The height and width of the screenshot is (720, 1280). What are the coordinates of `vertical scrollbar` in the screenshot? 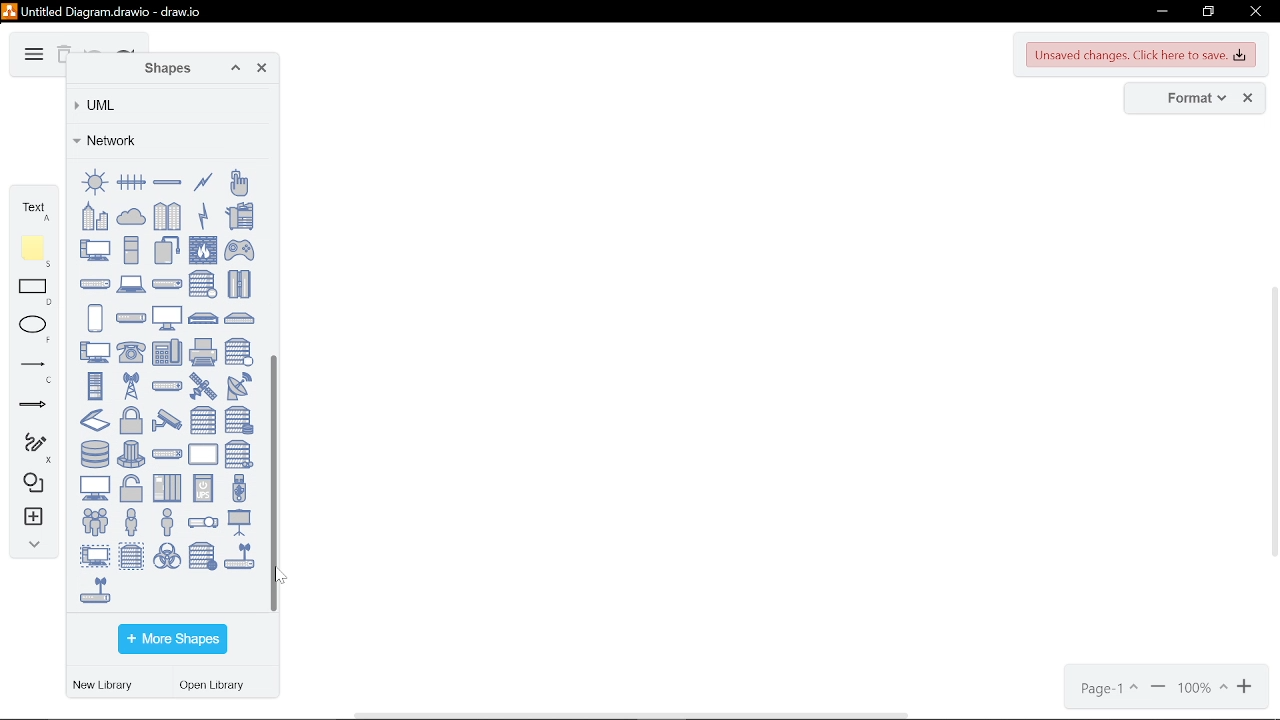 It's located at (276, 481).